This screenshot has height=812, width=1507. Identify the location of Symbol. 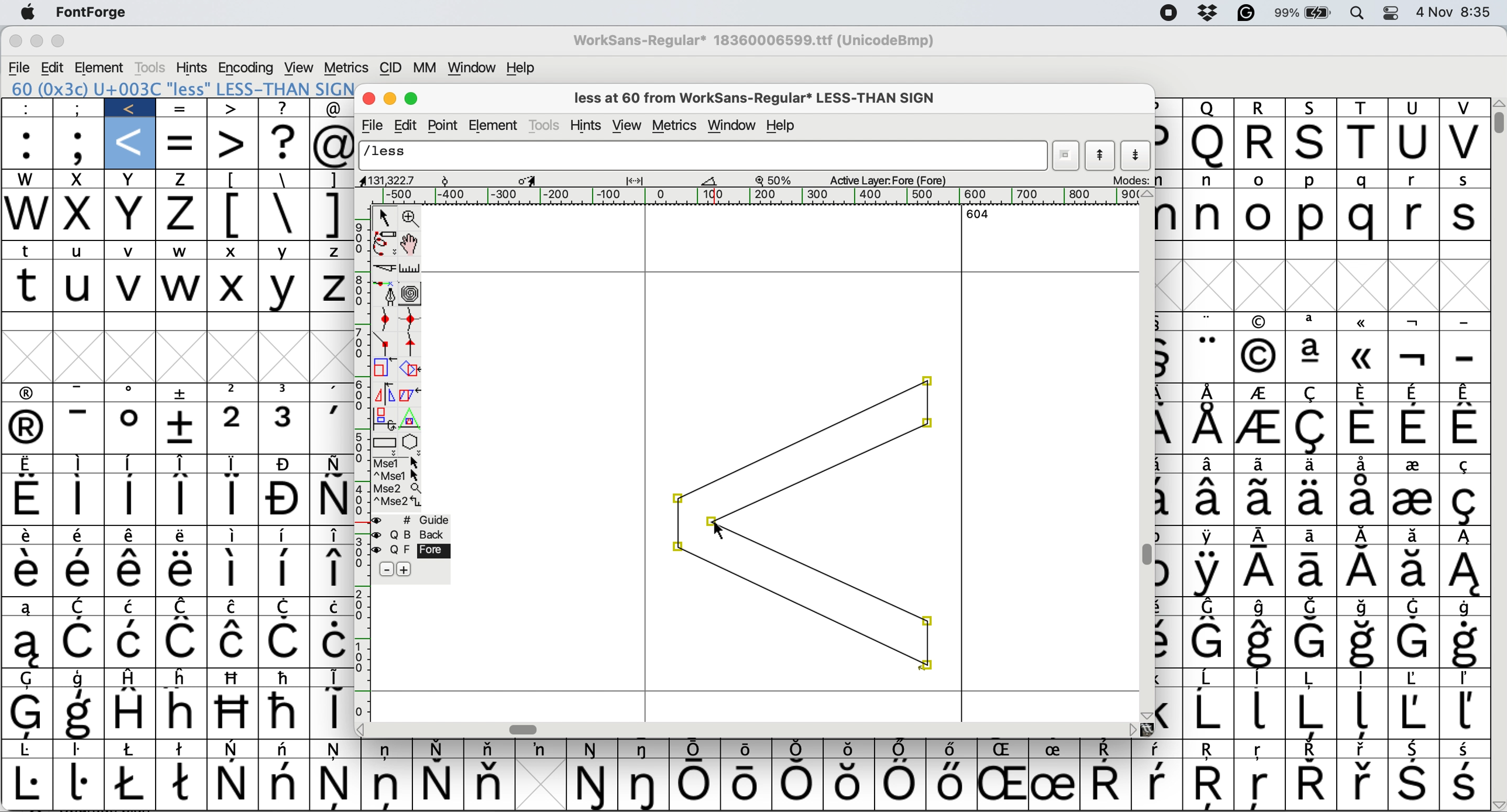
(29, 713).